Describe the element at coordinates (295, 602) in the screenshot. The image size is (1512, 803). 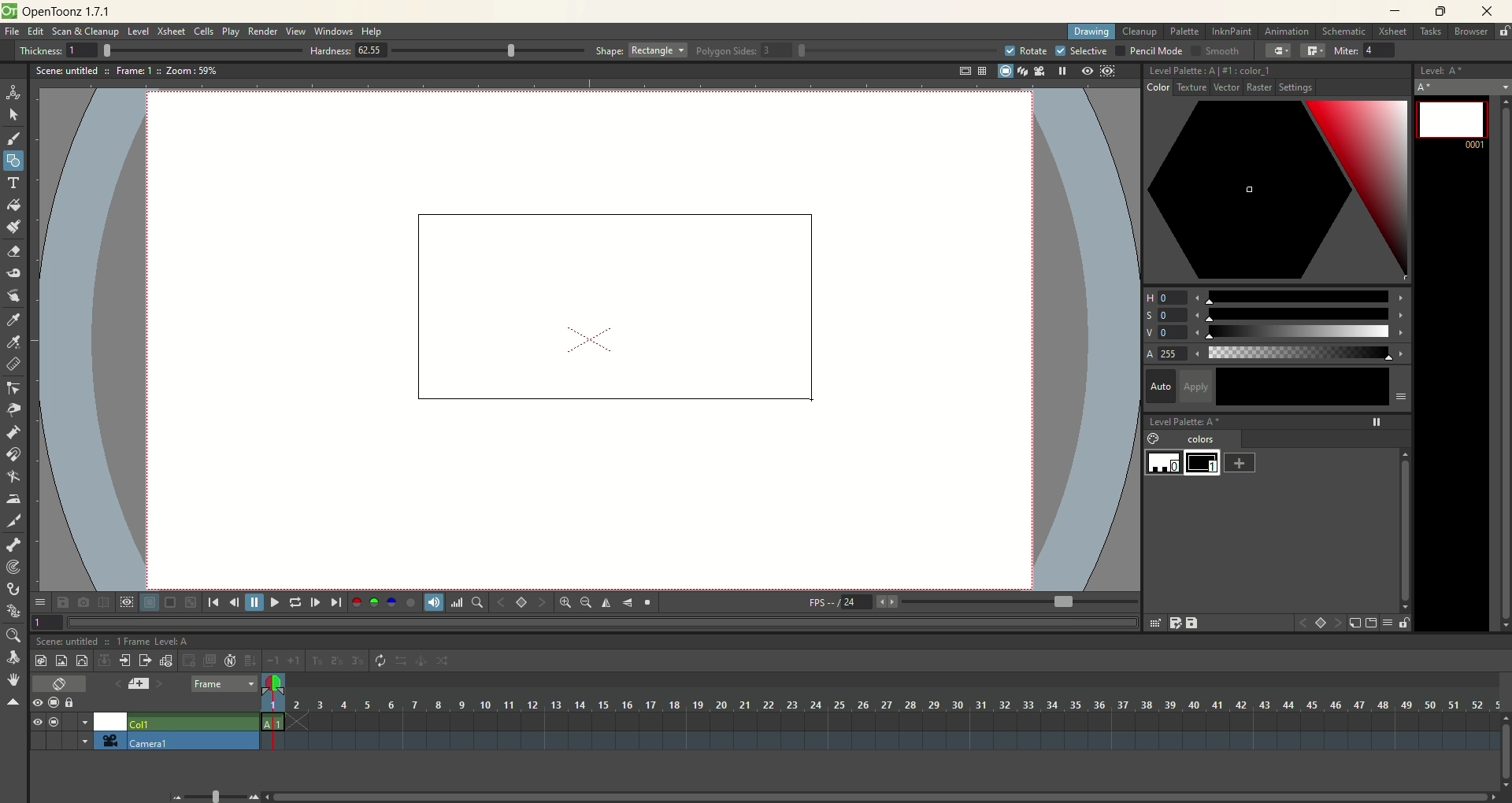
I see `loop` at that location.